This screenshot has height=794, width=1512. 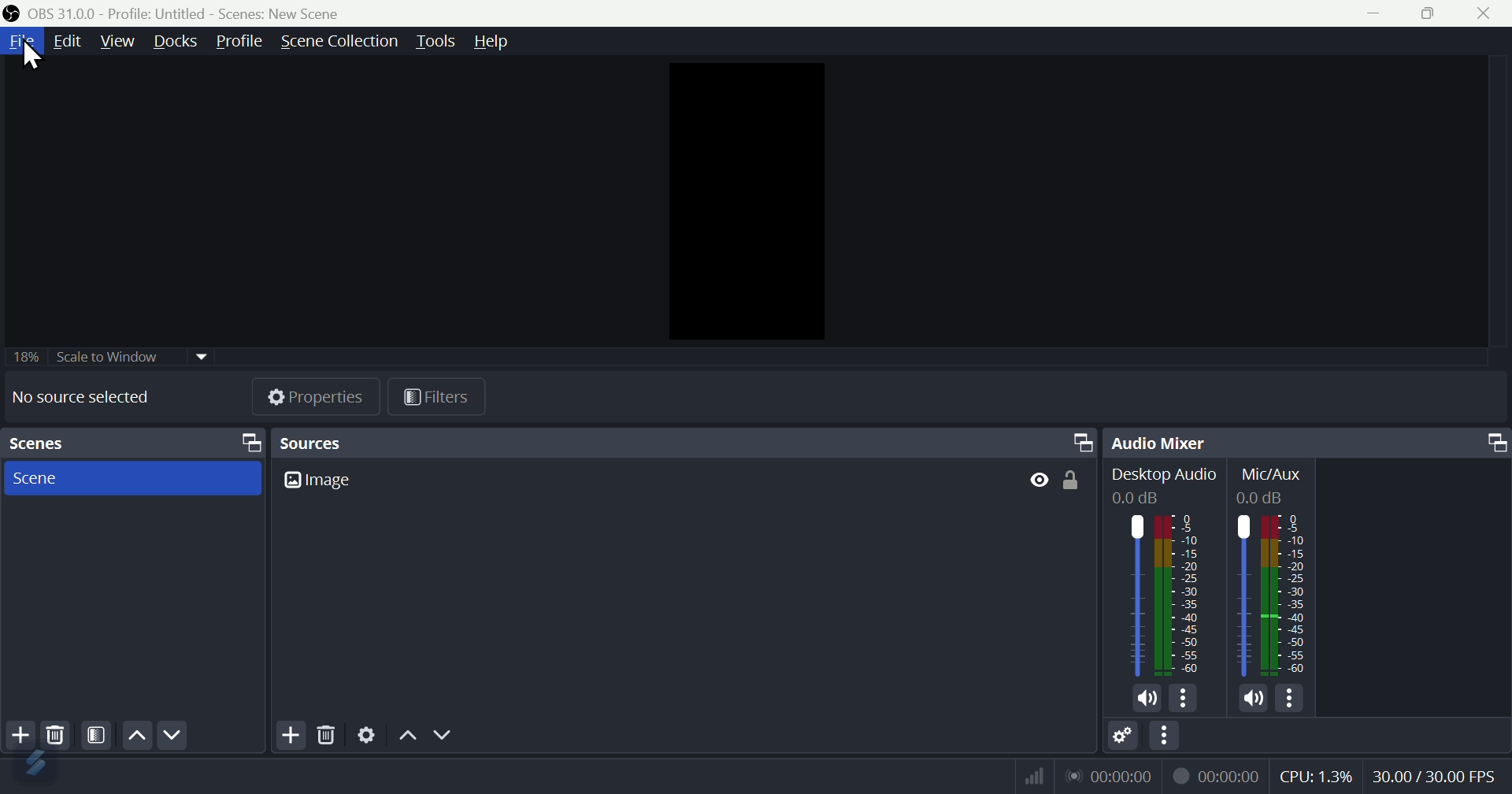 What do you see at coordinates (1274, 594) in the screenshot?
I see `` at bounding box center [1274, 594].